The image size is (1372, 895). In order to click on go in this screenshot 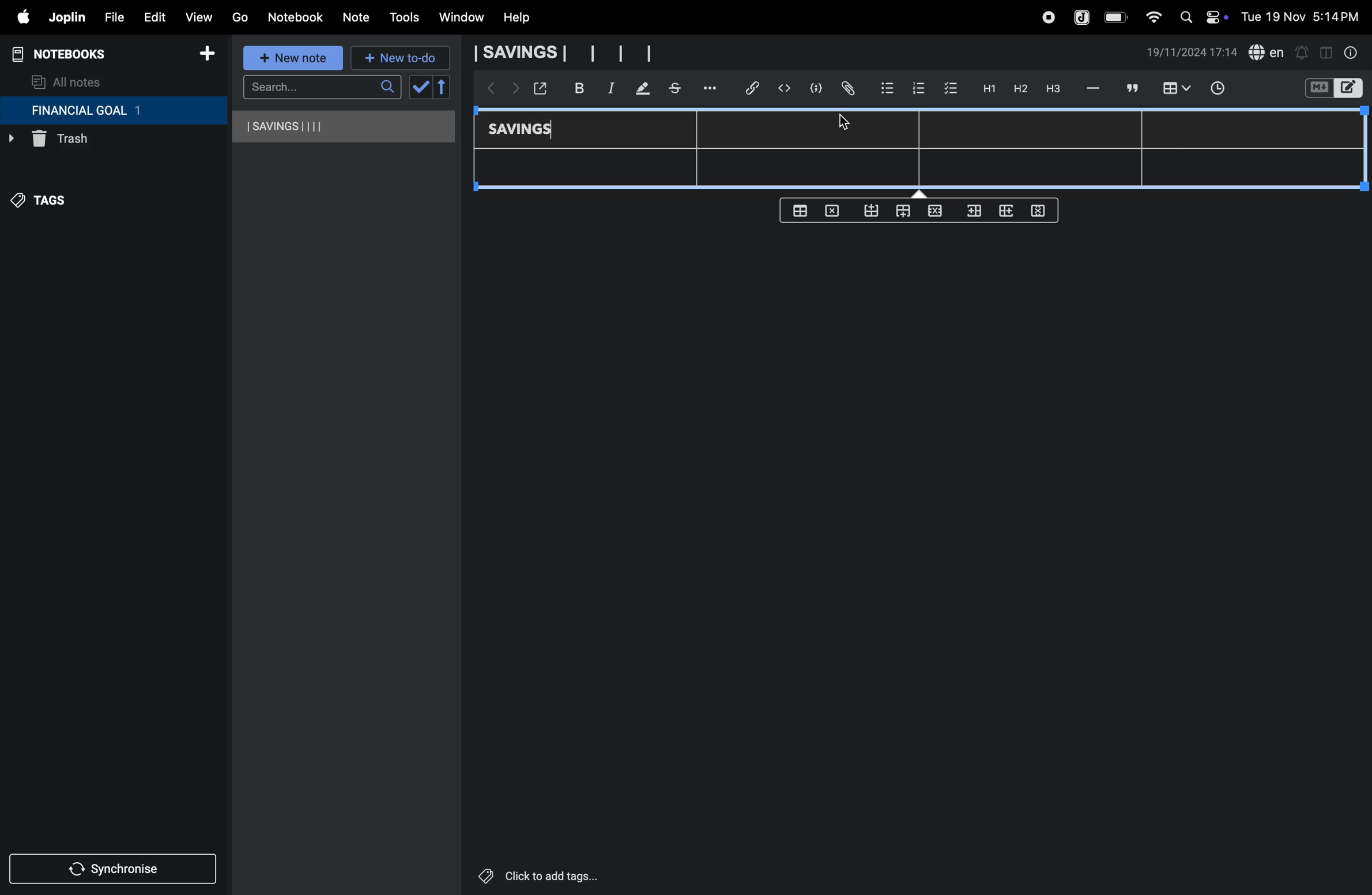, I will do `click(240, 16)`.